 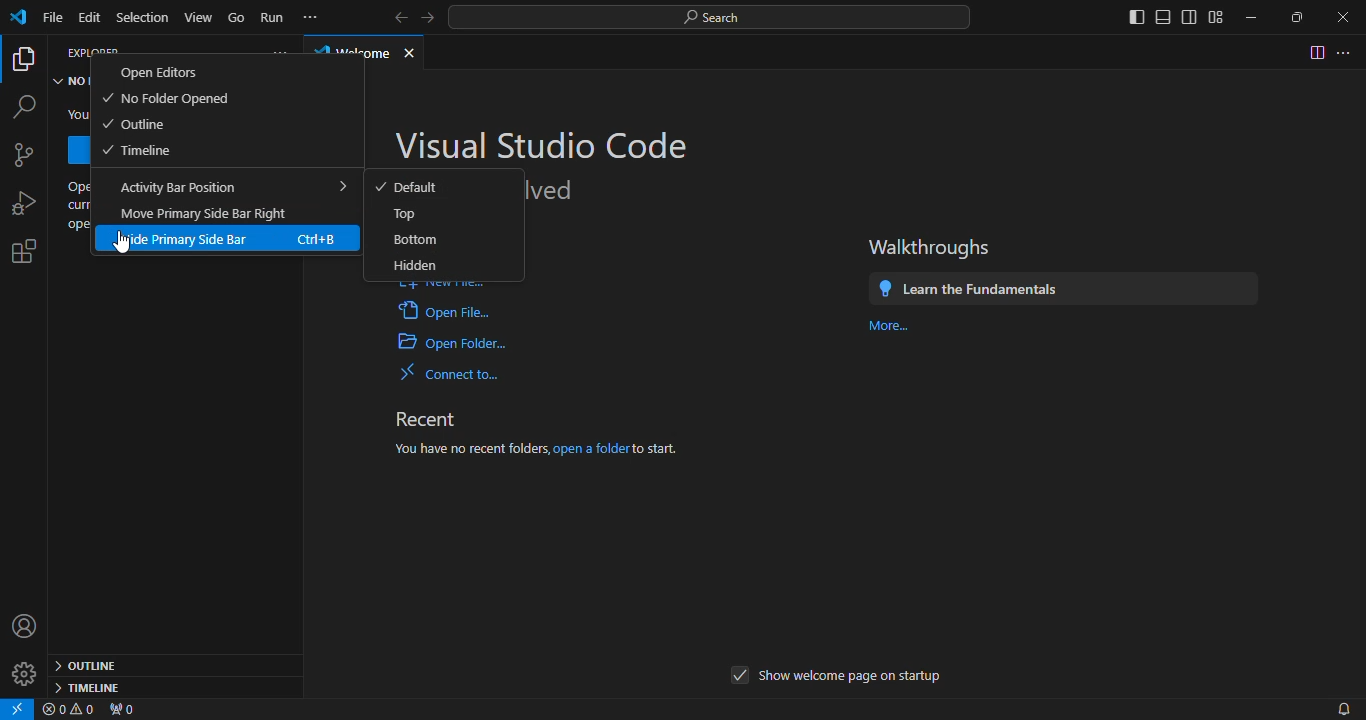 What do you see at coordinates (134, 124) in the screenshot?
I see `Outline` at bounding box center [134, 124].